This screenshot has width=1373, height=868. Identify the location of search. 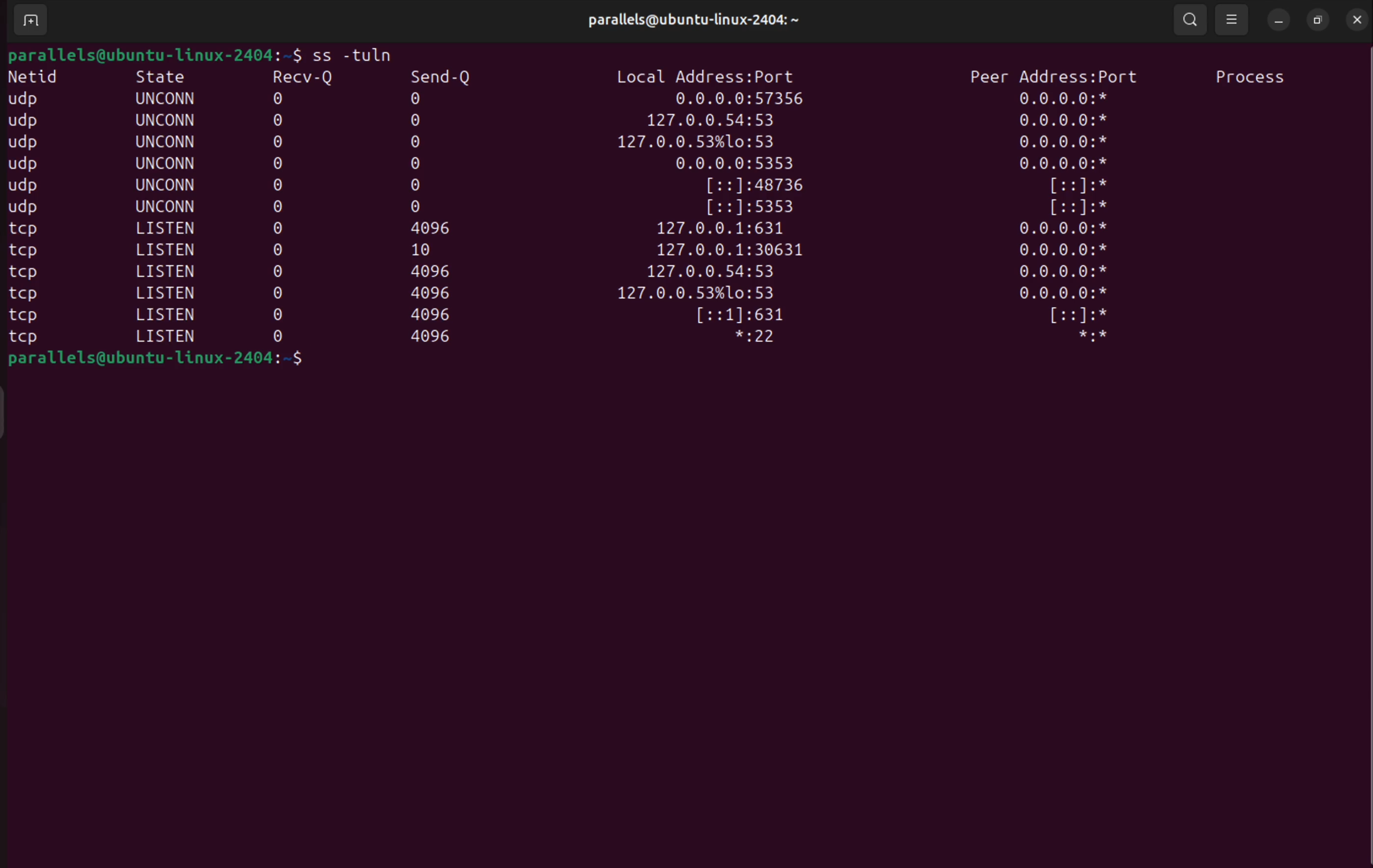
(1194, 21).